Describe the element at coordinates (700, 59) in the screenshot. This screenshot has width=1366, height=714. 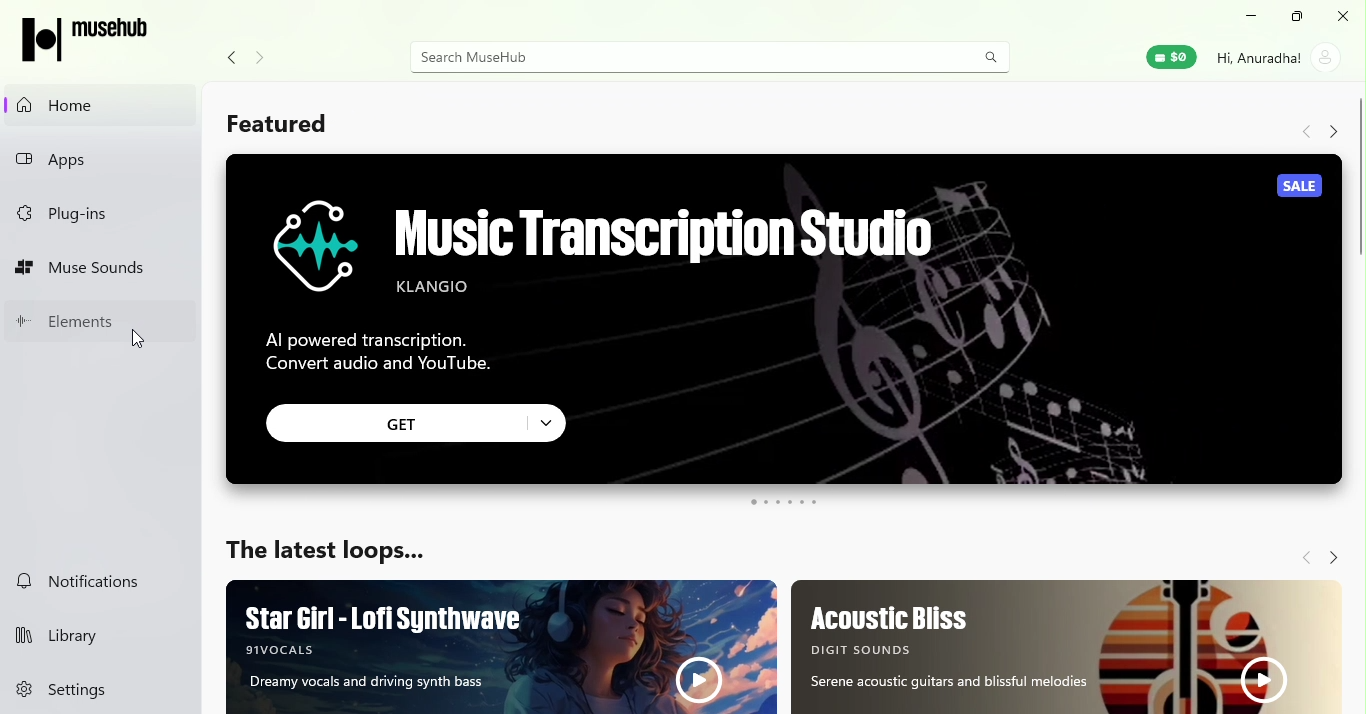
I see `Search bar` at that location.